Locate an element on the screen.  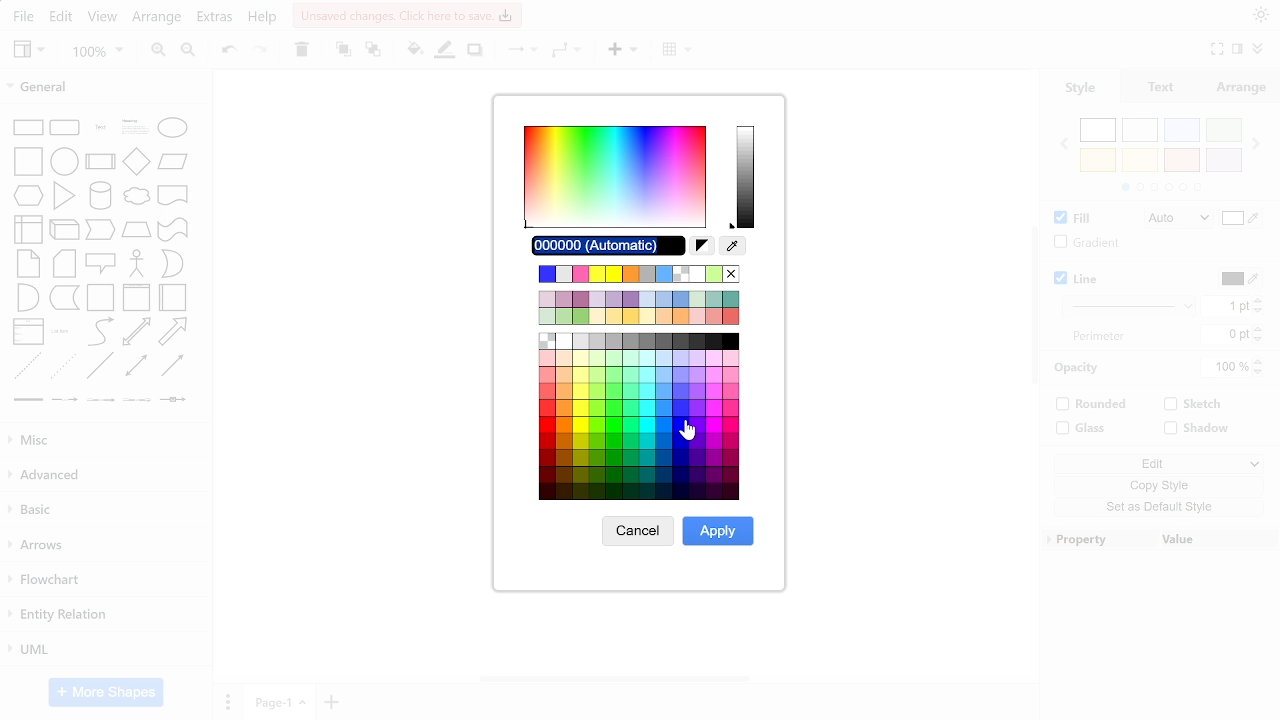
entity relation is located at coordinates (105, 615).